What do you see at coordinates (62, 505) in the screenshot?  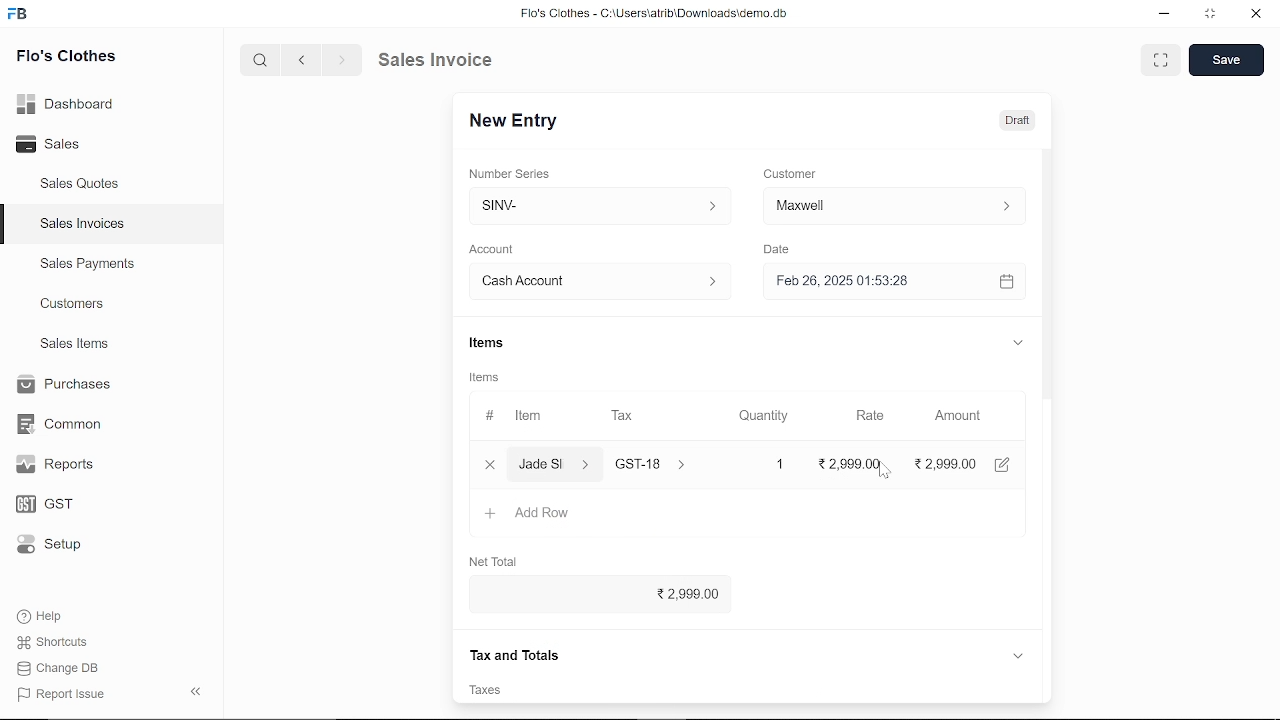 I see `GST` at bounding box center [62, 505].